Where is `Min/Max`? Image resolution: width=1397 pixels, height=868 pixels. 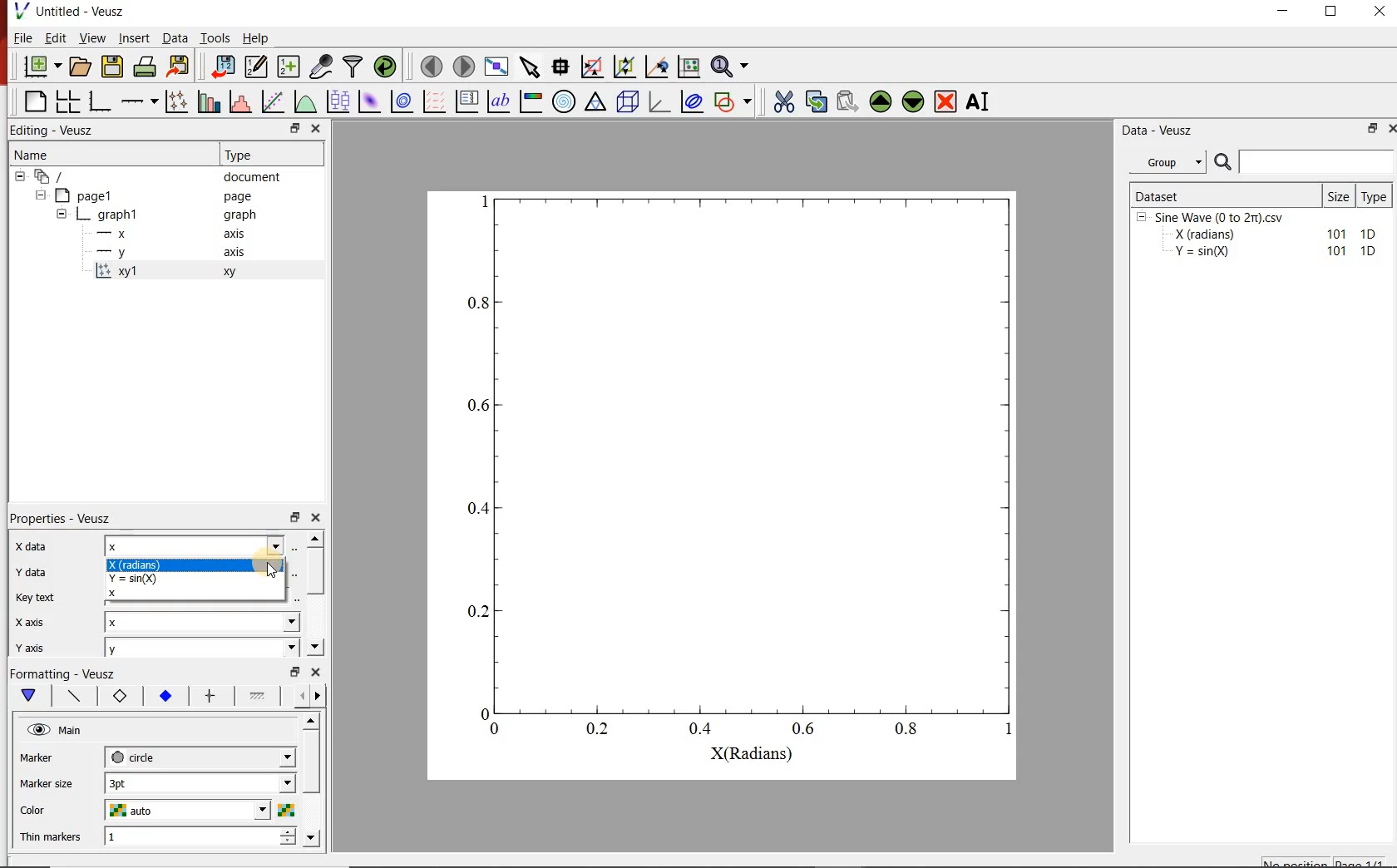
Min/Max is located at coordinates (1370, 130).